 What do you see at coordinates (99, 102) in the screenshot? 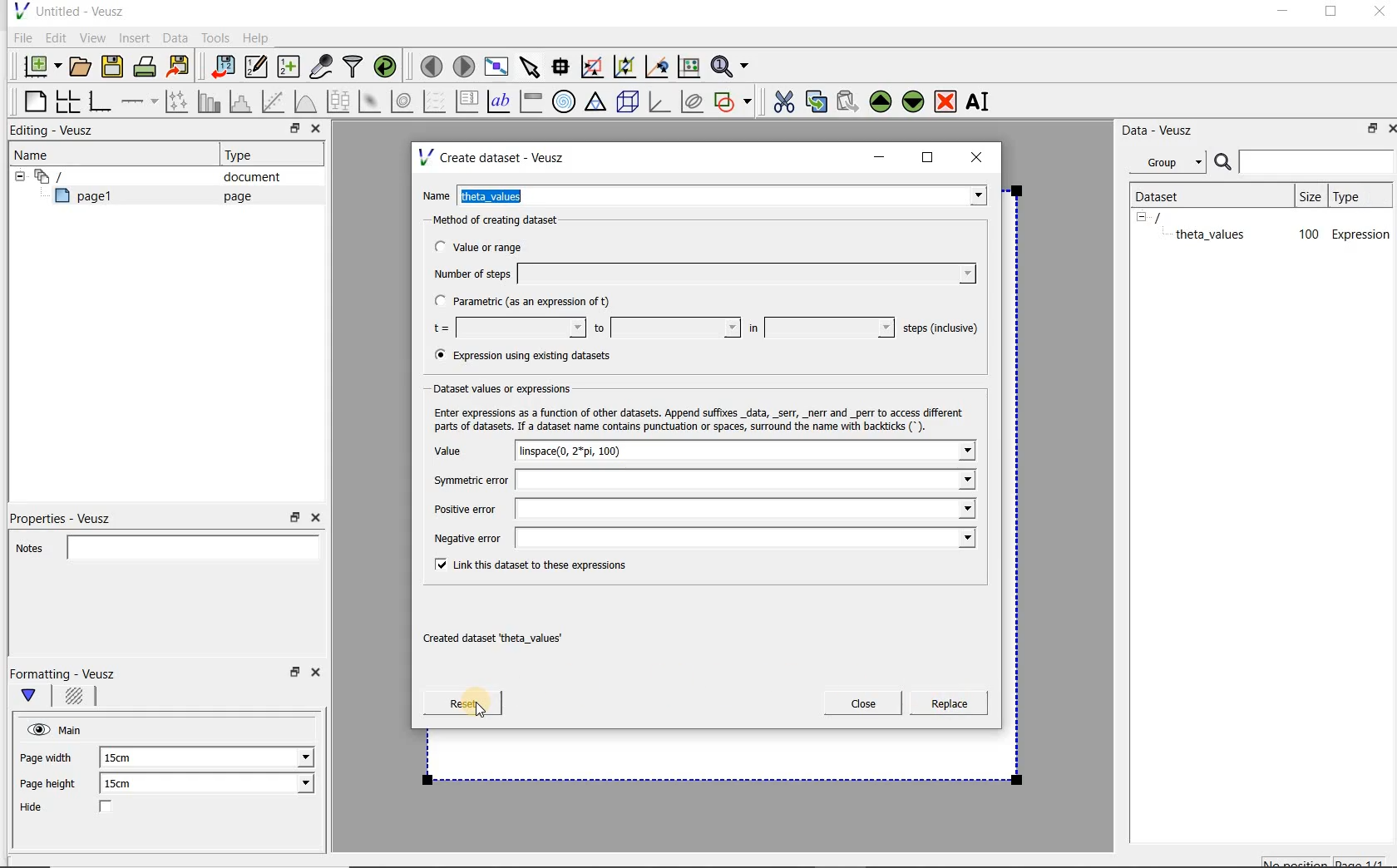
I see `base graph` at bounding box center [99, 102].